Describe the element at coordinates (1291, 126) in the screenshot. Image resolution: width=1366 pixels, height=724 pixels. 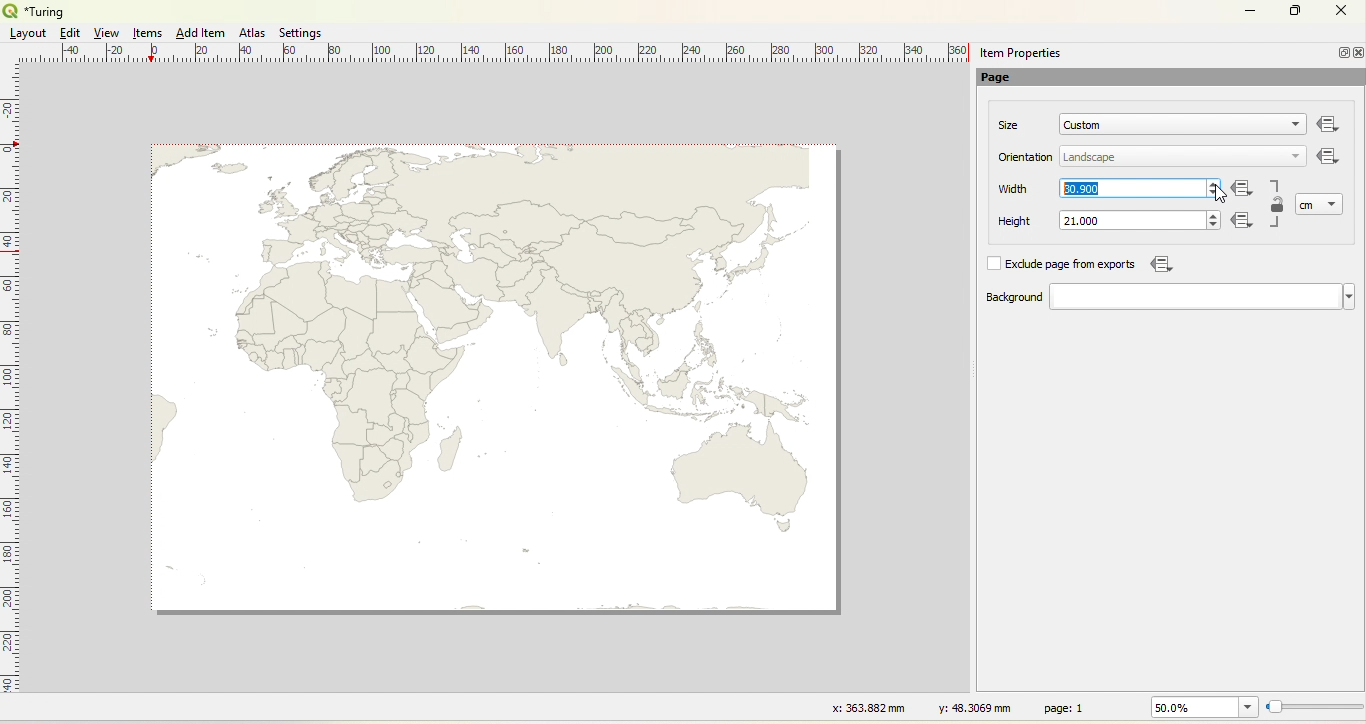
I see `dropdown` at that location.